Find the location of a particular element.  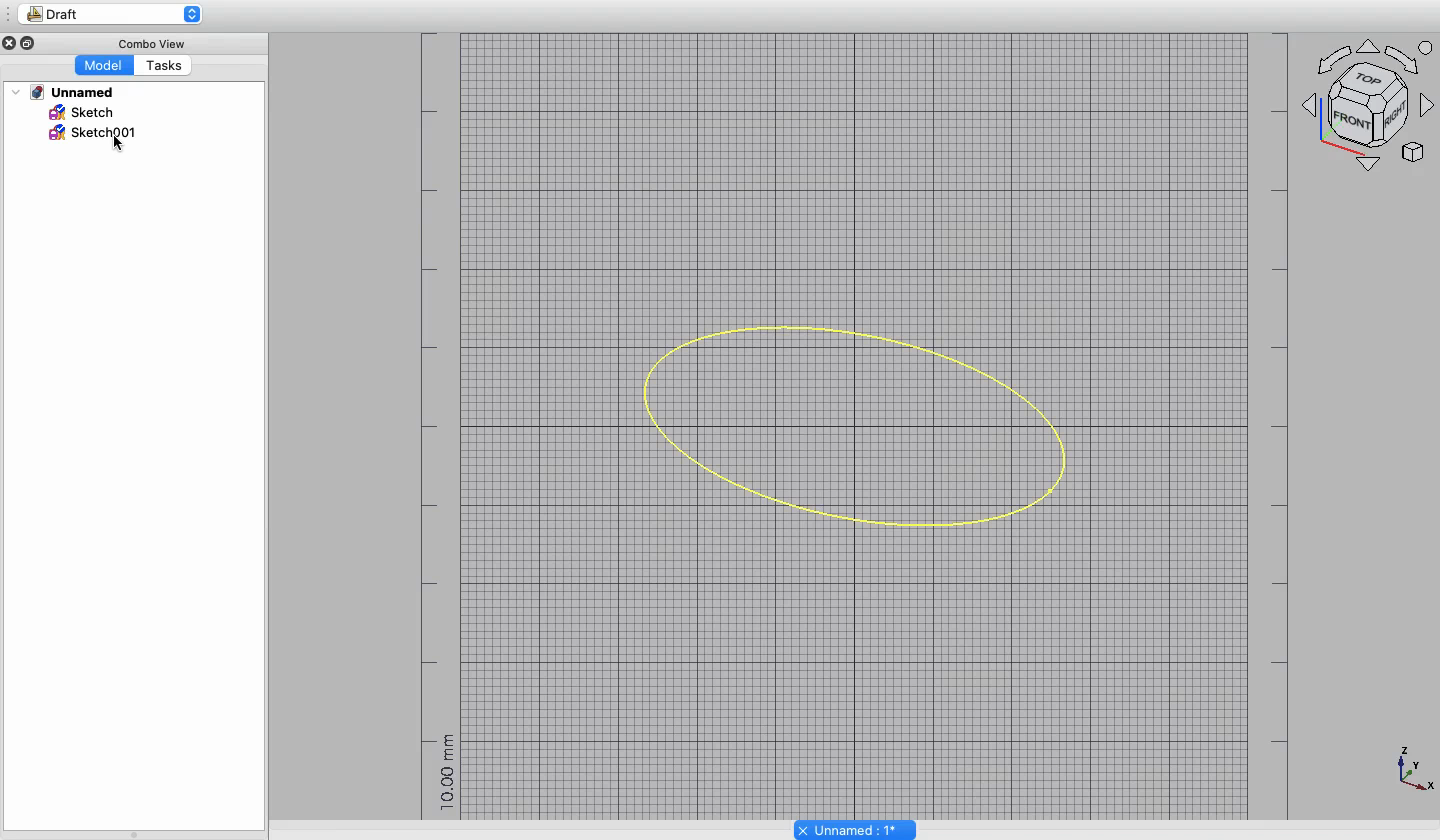

Minimize is located at coordinates (29, 43).